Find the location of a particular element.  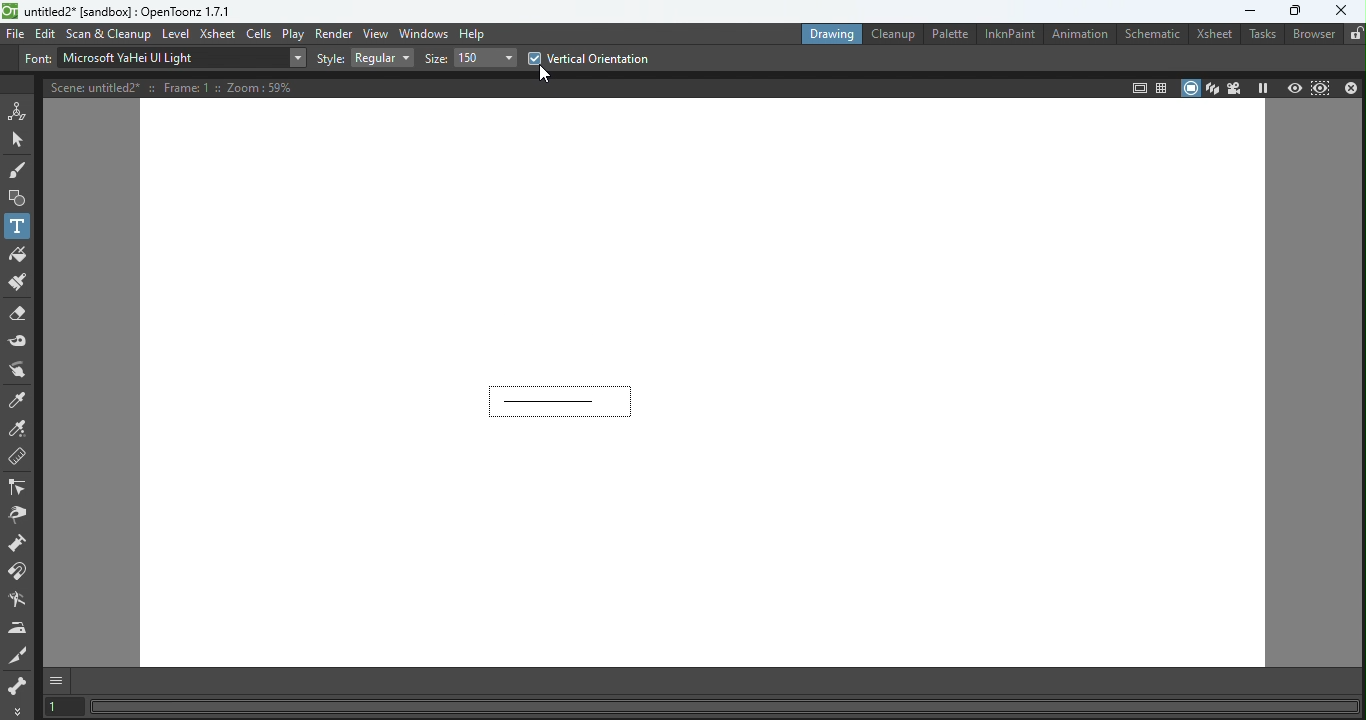

Cursor is located at coordinates (543, 75).